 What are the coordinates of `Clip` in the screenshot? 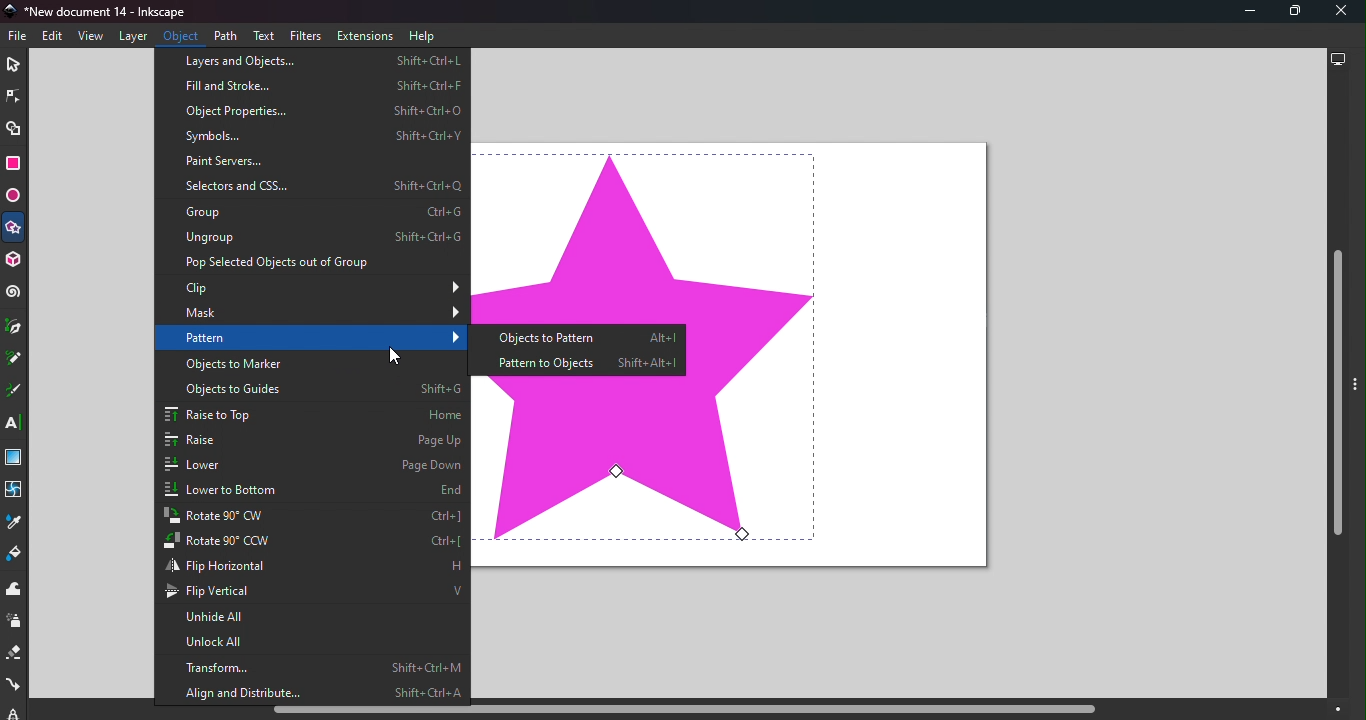 It's located at (323, 288).